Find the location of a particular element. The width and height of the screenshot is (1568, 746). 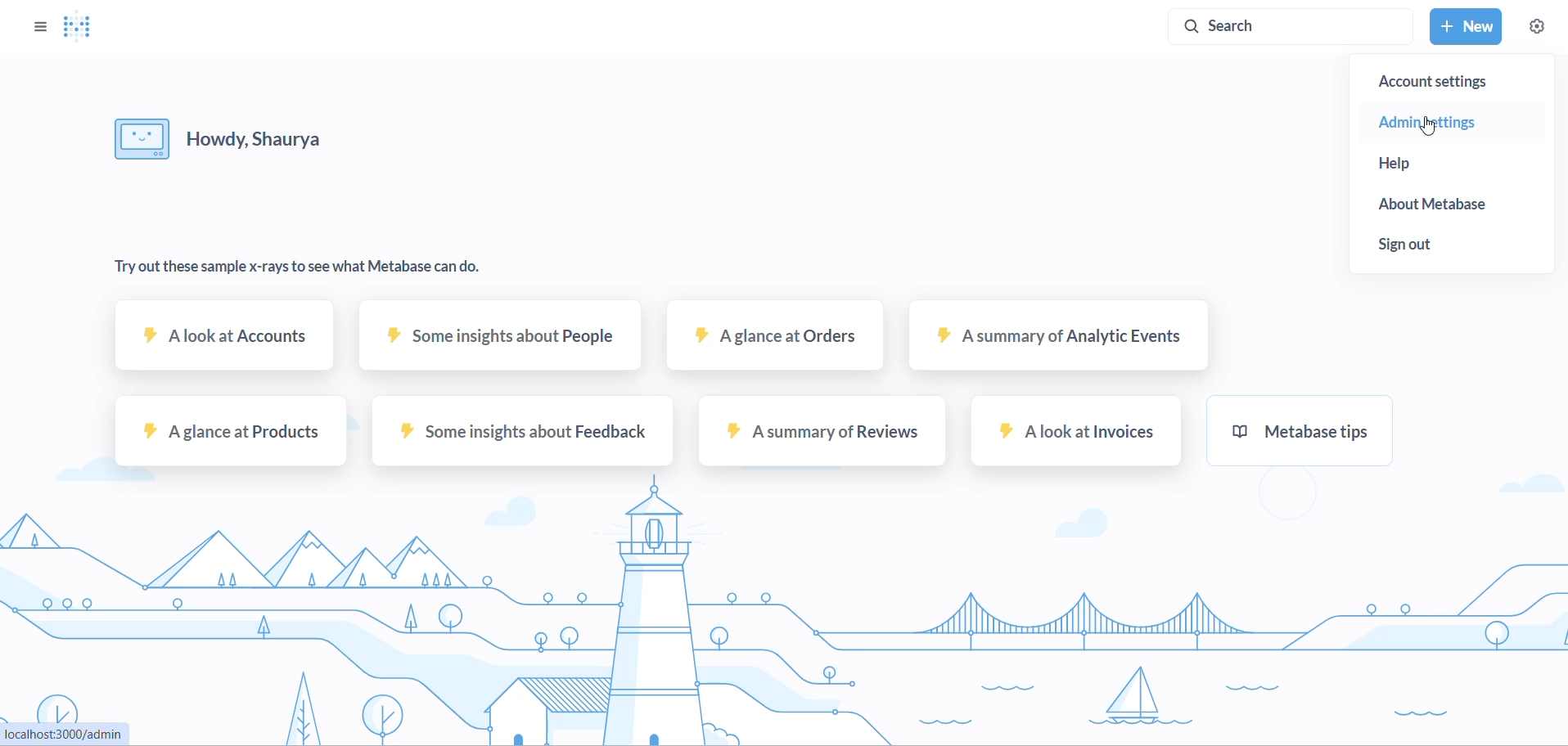

help is located at coordinates (1411, 165).